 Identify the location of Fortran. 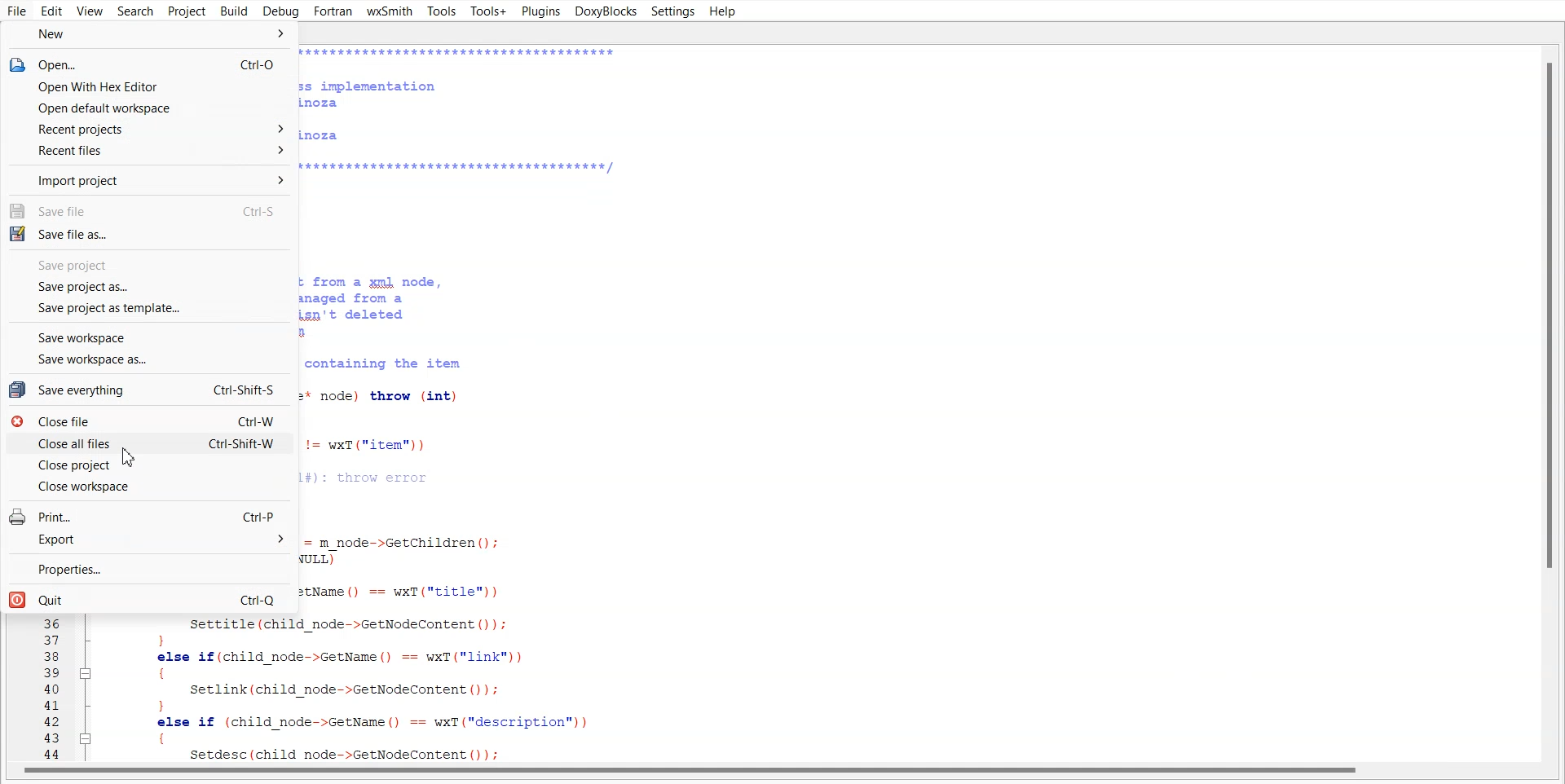
(333, 11).